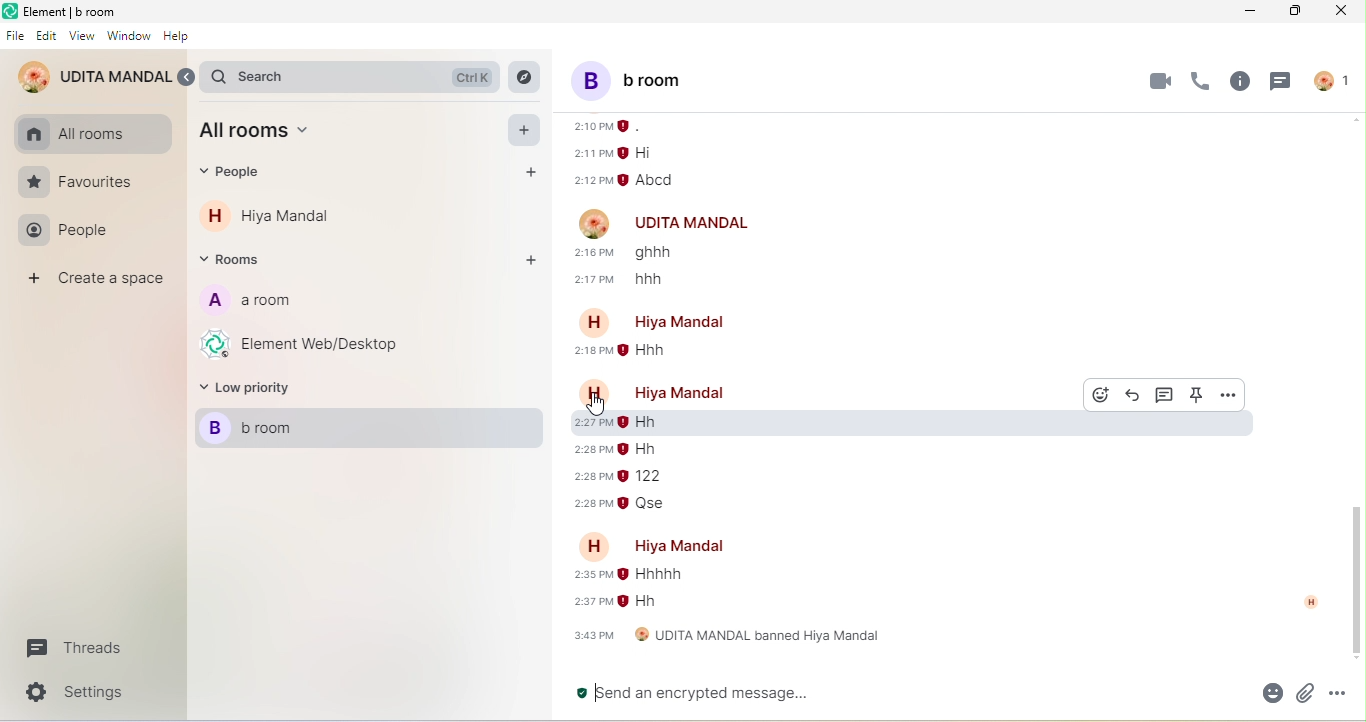  I want to click on sending message time, so click(591, 576).